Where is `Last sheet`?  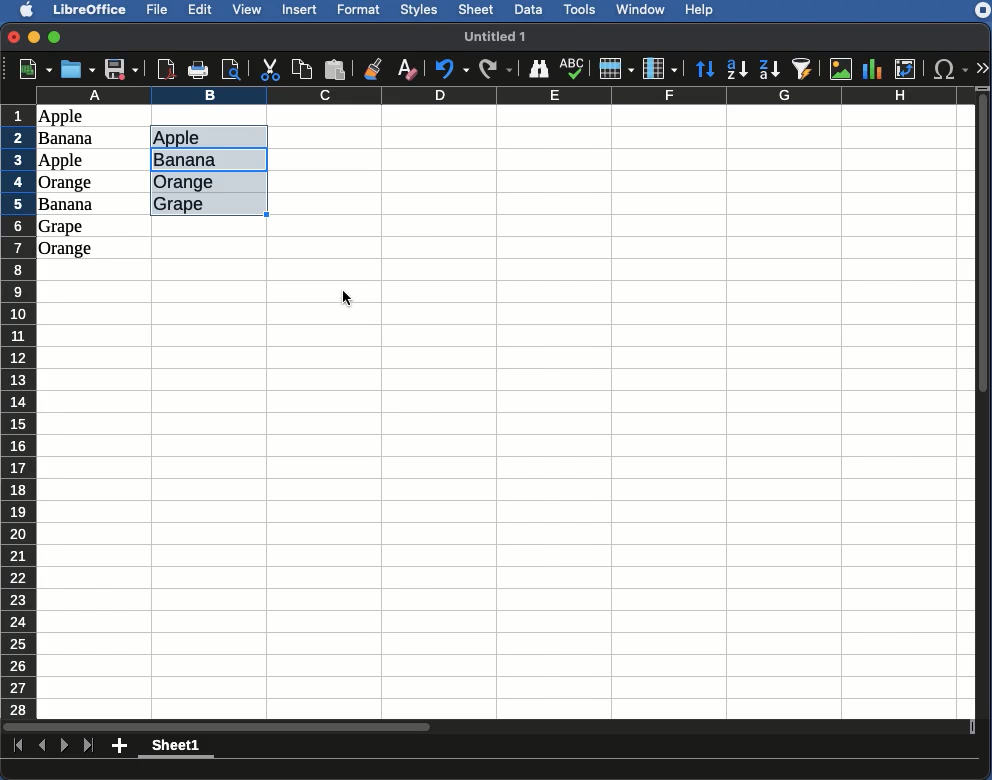 Last sheet is located at coordinates (90, 746).